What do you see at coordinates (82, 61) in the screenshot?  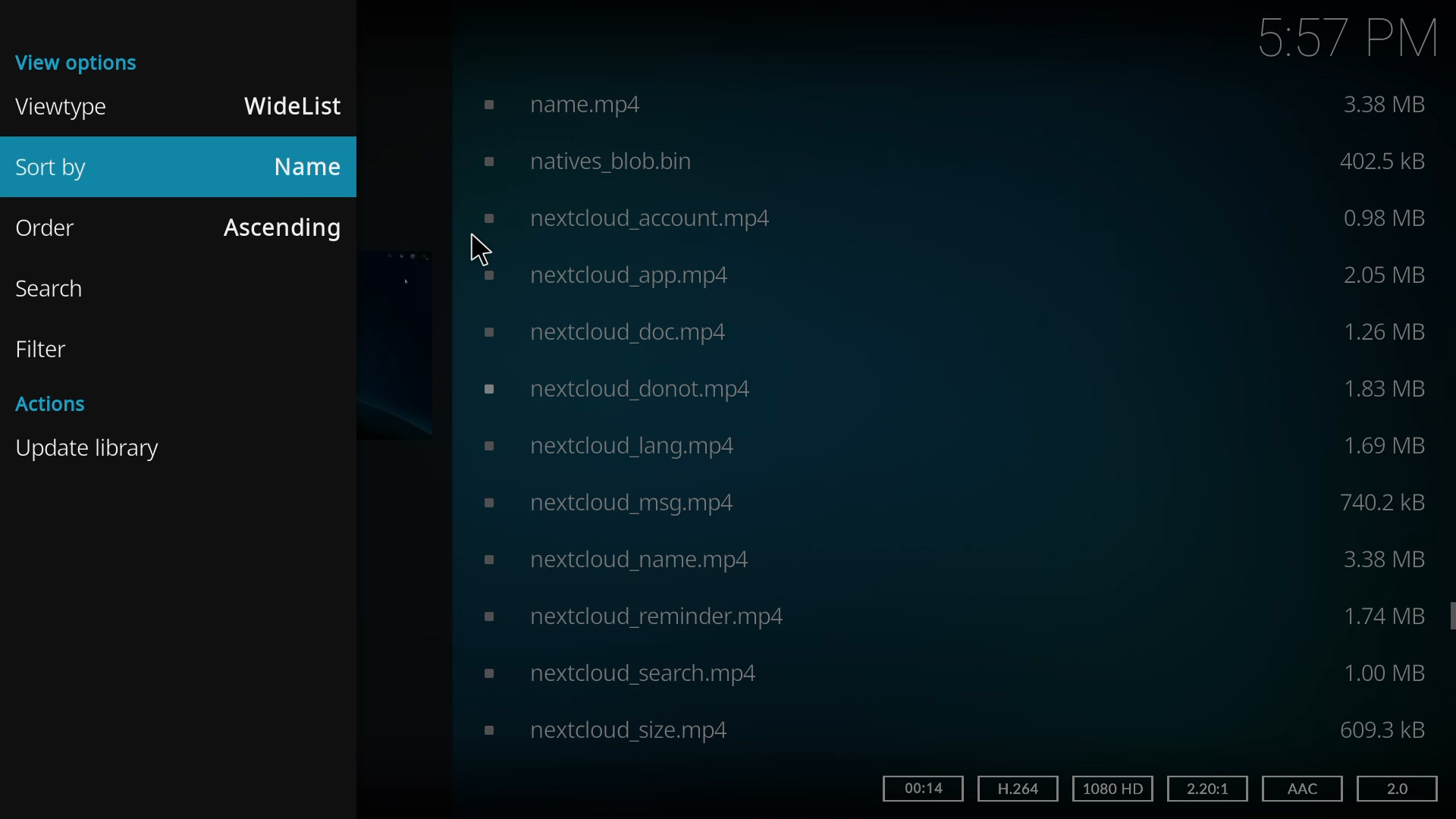 I see `view options` at bounding box center [82, 61].